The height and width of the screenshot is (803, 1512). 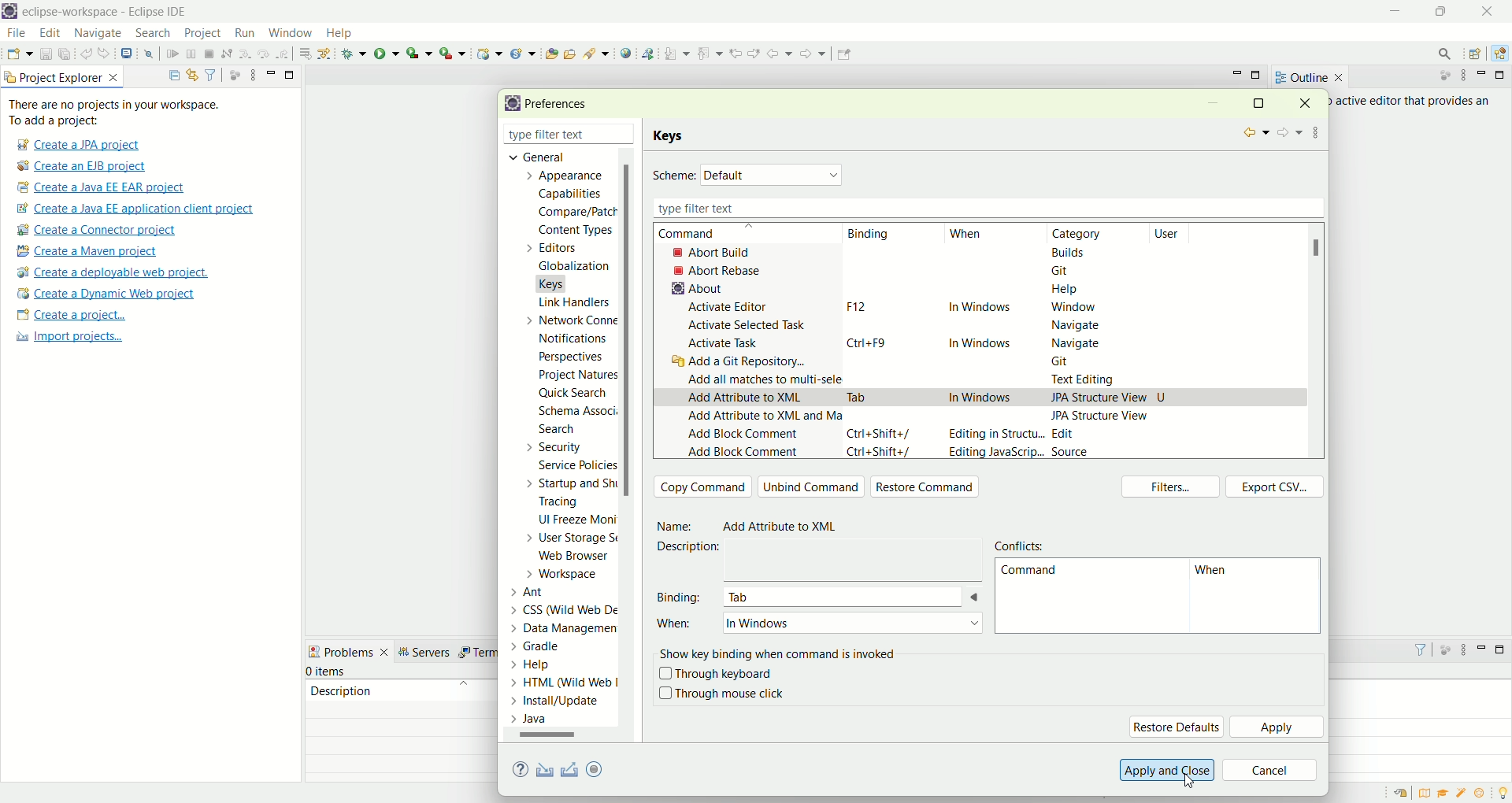 I want to click on user, so click(x=1176, y=233).